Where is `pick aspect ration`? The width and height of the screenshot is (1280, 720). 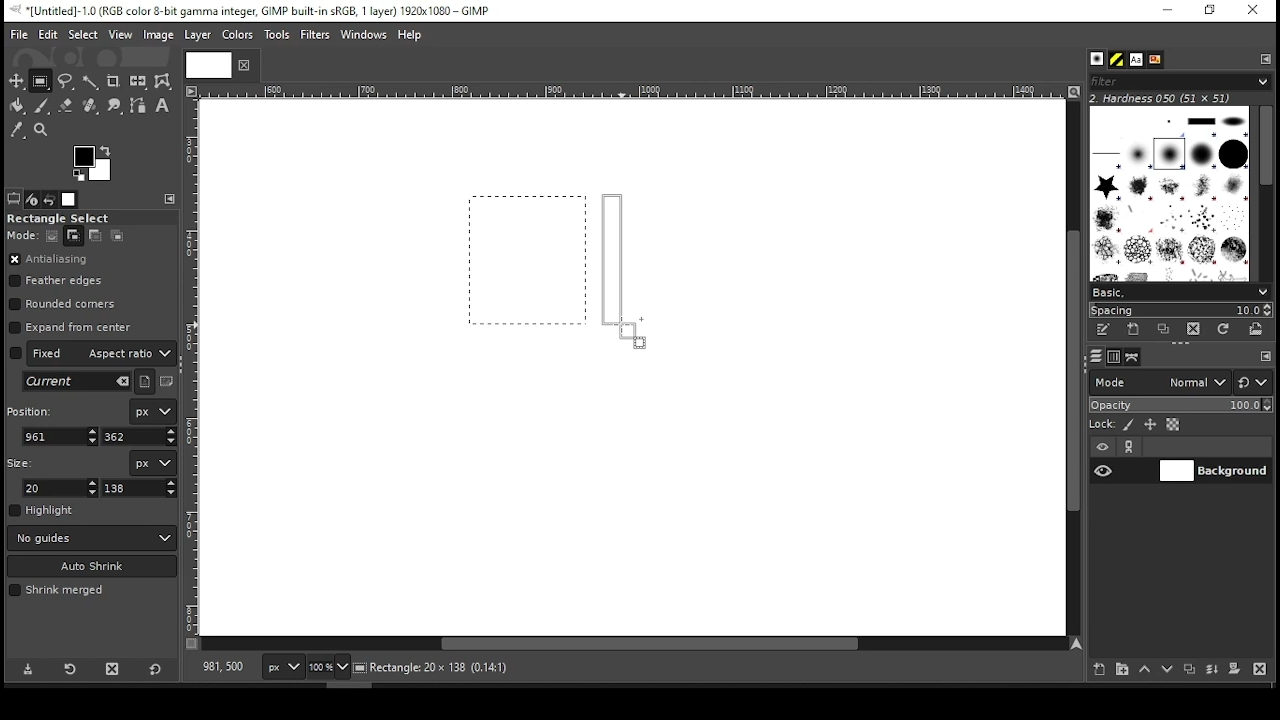
pick aspect ration is located at coordinates (77, 382).